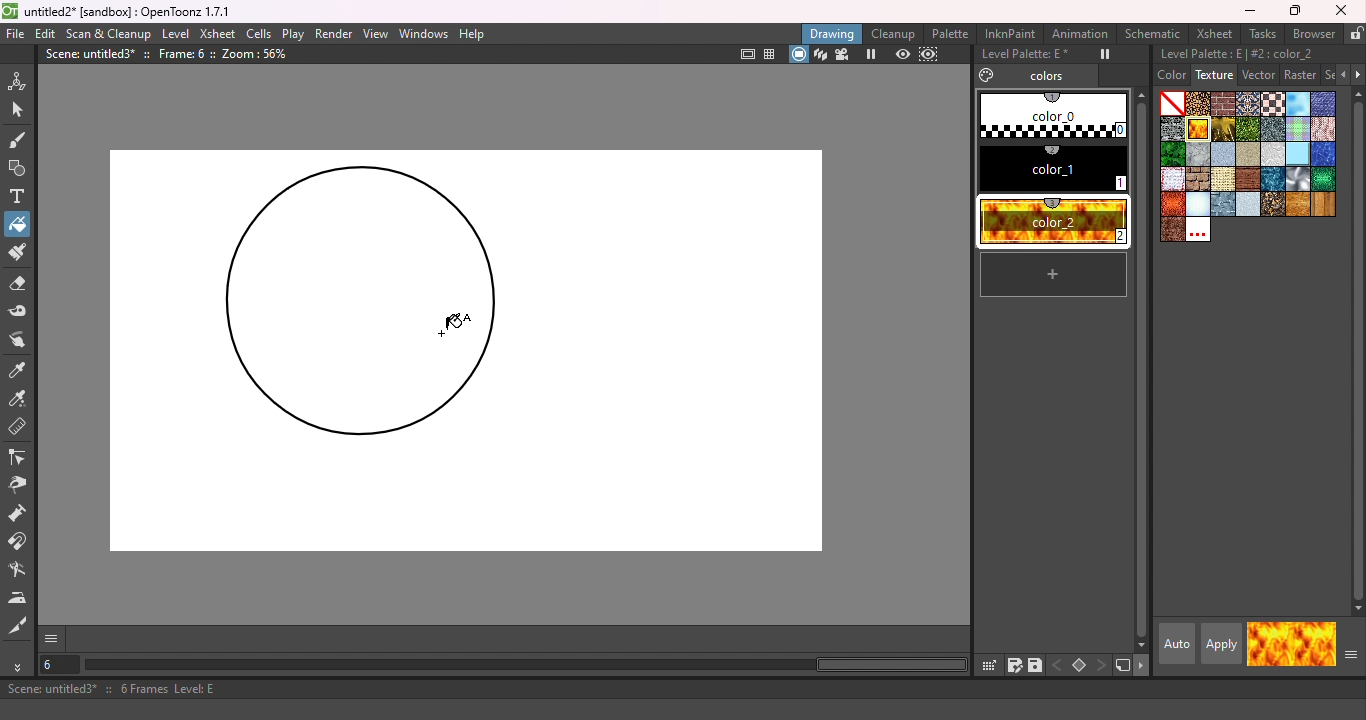 The width and height of the screenshot is (1366, 720). What do you see at coordinates (1225, 154) in the screenshot?
I see `paper 1.bmp` at bounding box center [1225, 154].